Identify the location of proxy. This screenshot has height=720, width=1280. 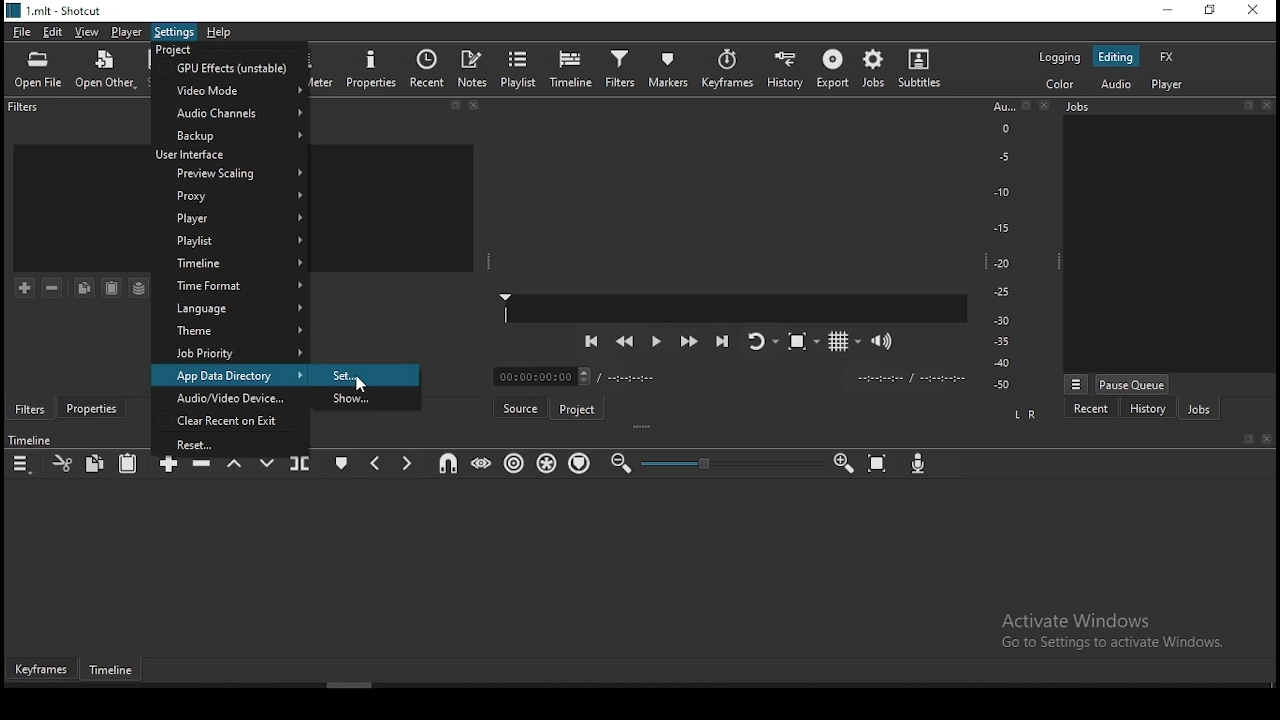
(228, 176).